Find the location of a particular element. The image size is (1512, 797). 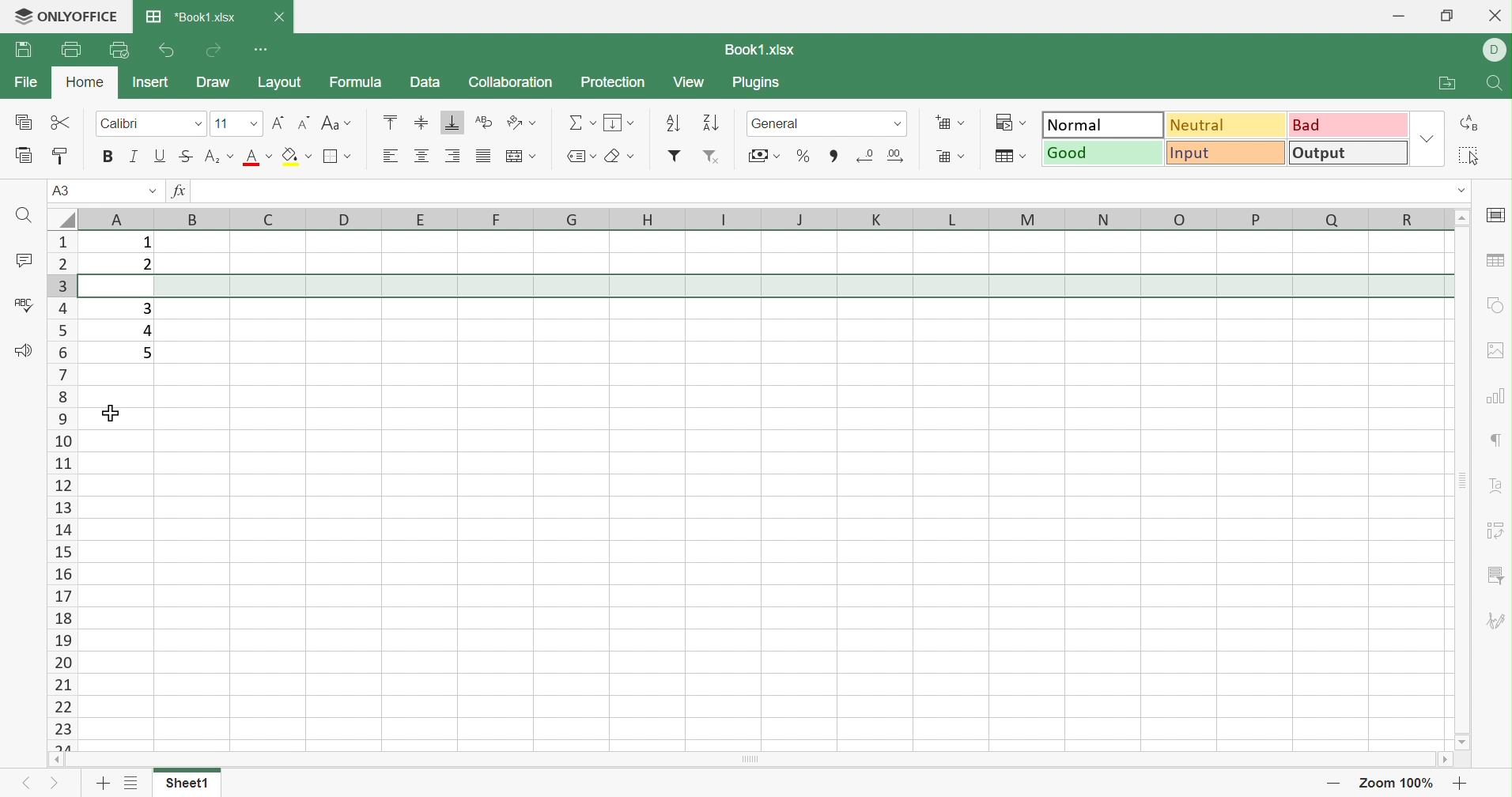

Drop Down is located at coordinates (153, 191).